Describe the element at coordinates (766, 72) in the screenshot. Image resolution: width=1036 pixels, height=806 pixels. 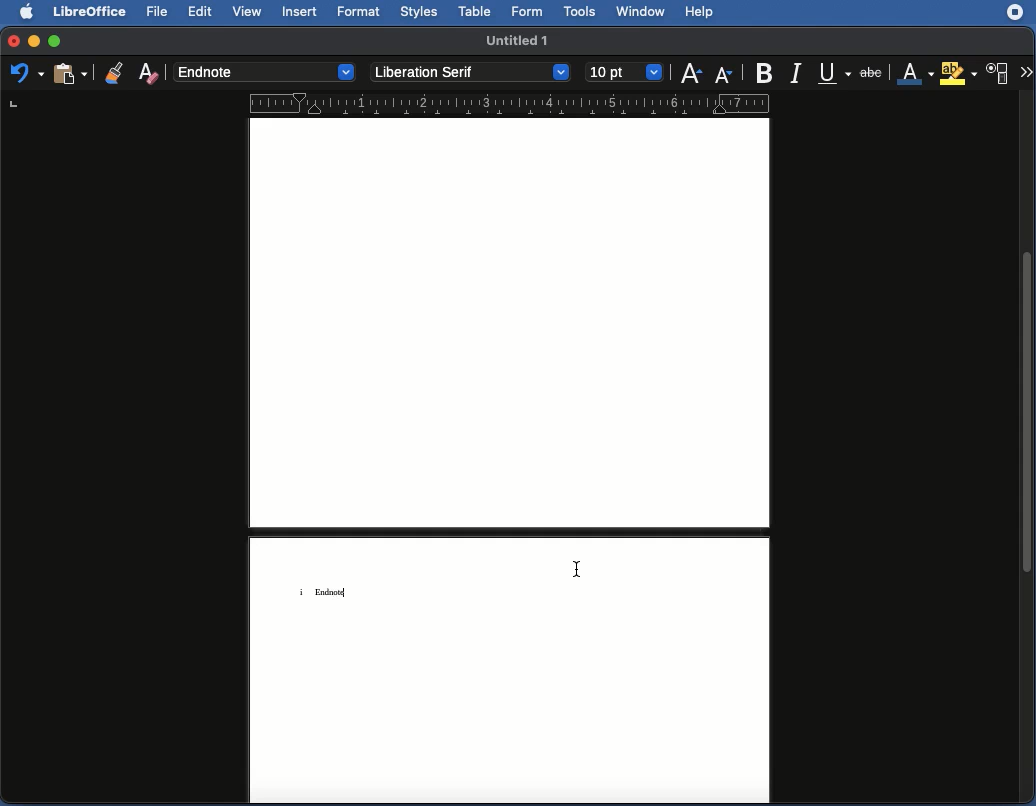
I see `Bold` at that location.